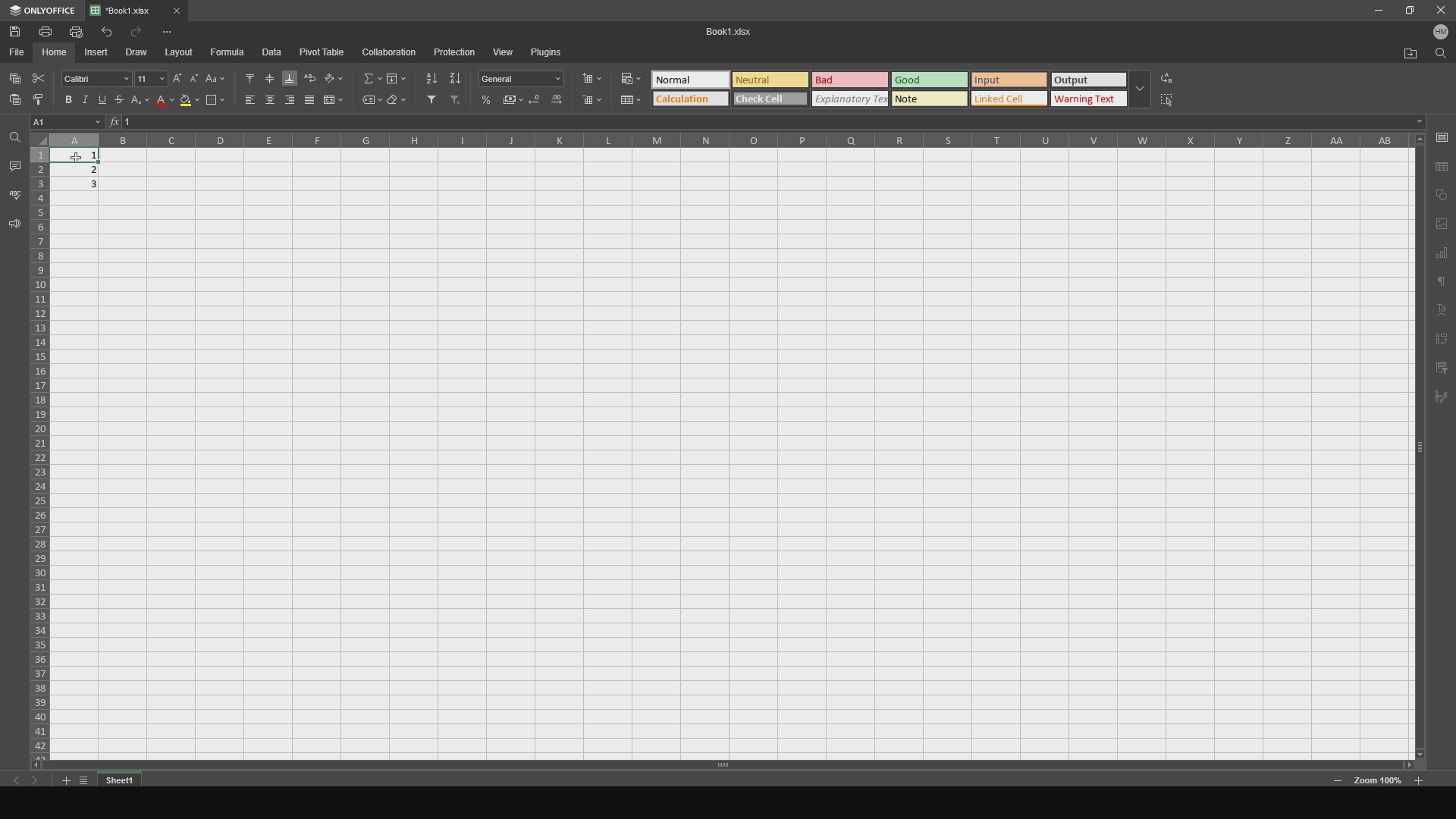 This screenshot has width=1456, height=819. I want to click on italic, so click(86, 98).